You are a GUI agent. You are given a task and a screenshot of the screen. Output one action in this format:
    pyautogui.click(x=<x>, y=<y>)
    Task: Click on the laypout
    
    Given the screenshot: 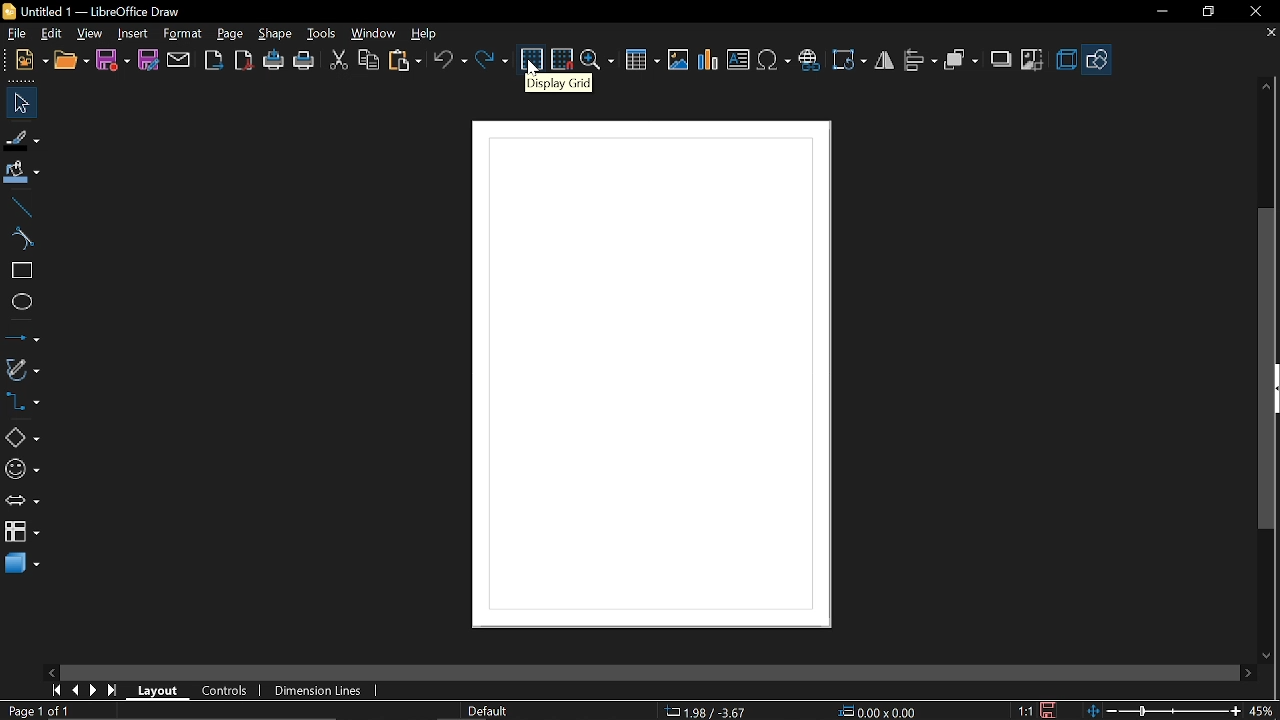 What is the action you would take?
    pyautogui.click(x=158, y=692)
    